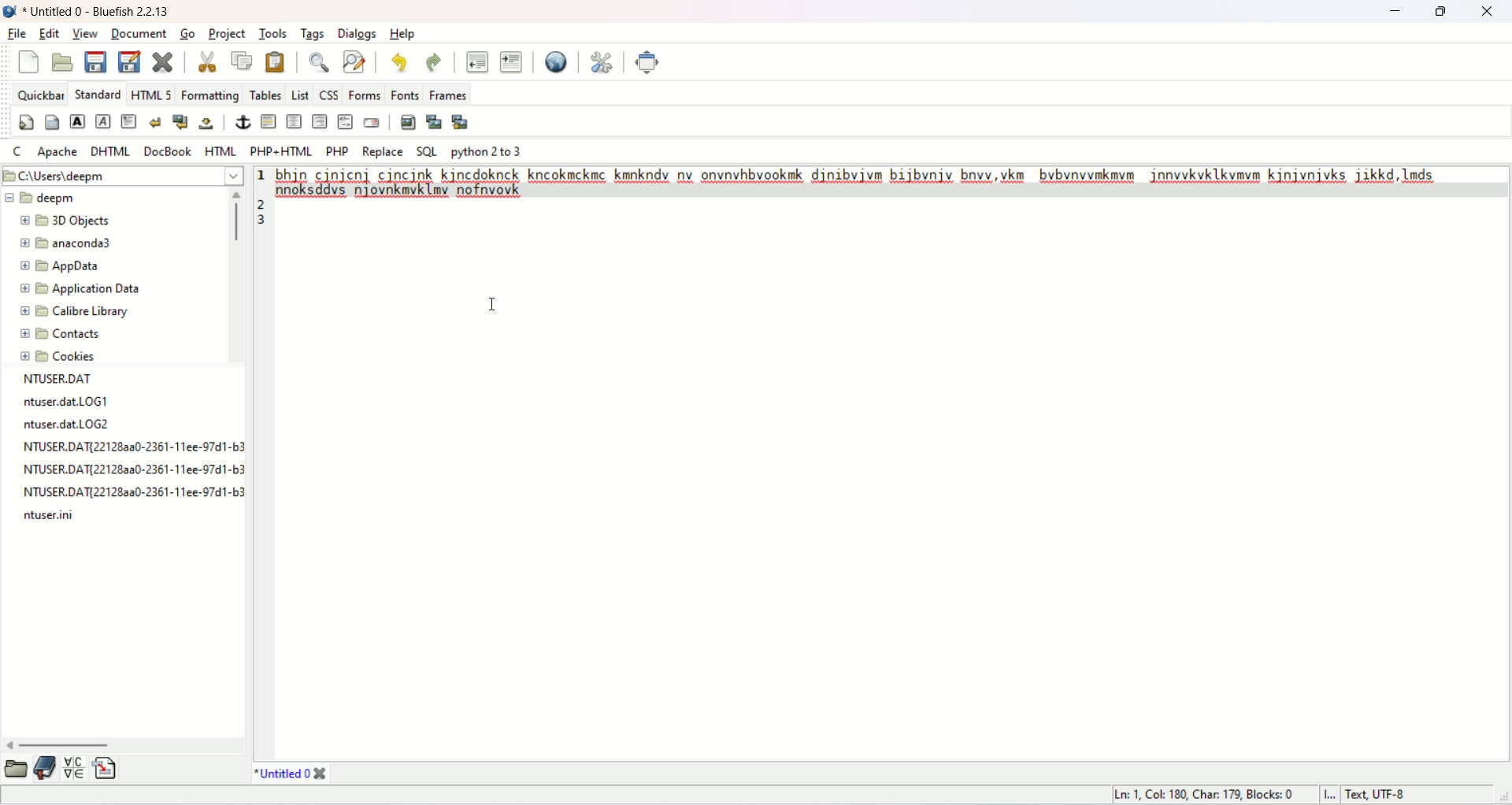 The image size is (1512, 805). Describe the element at coordinates (209, 125) in the screenshot. I see `non-breaking space` at that location.